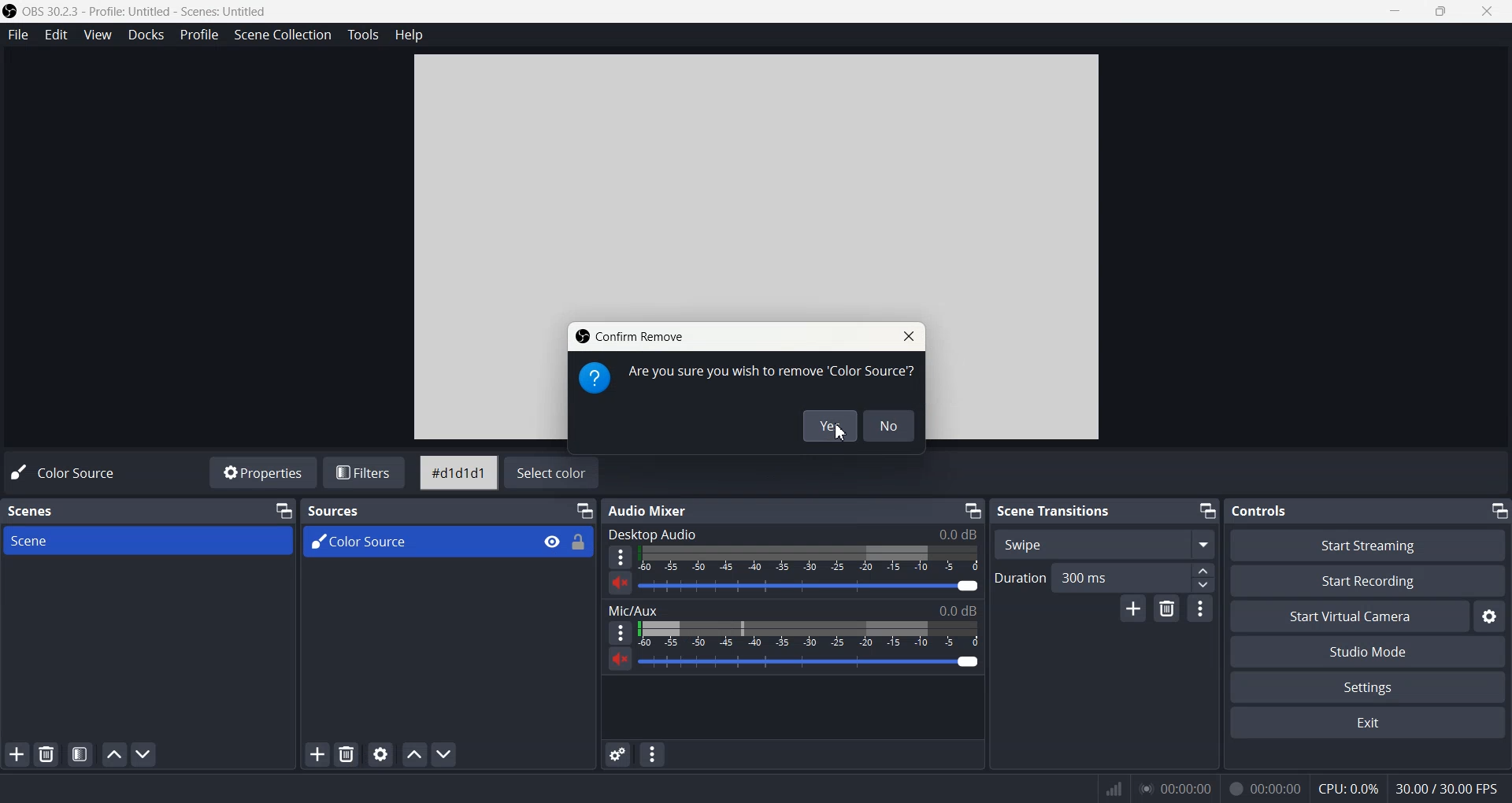  What do you see at coordinates (79, 754) in the screenshot?
I see `Open scene Filter` at bounding box center [79, 754].